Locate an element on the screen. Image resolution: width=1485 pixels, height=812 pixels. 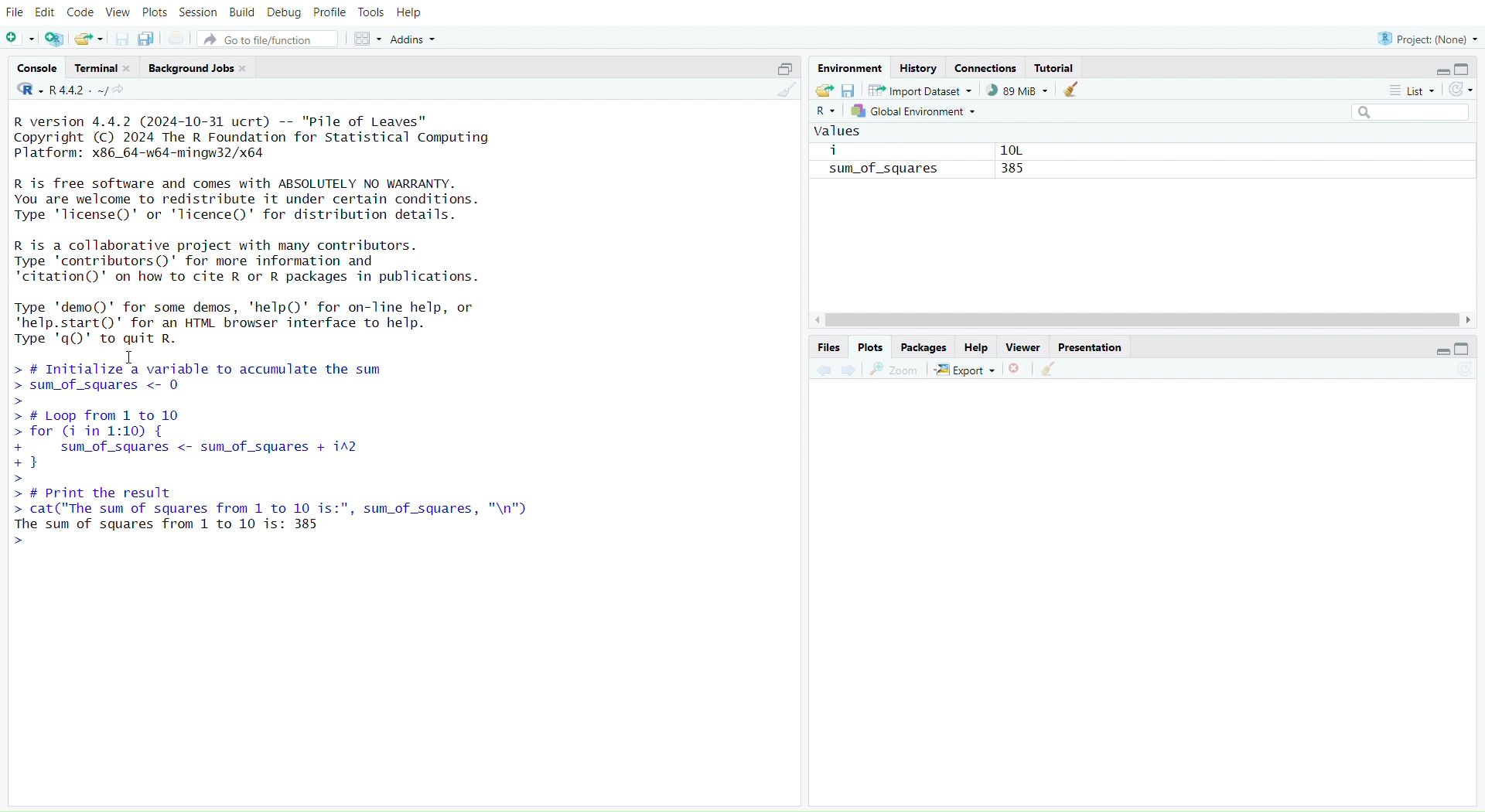
packages is located at coordinates (925, 346).